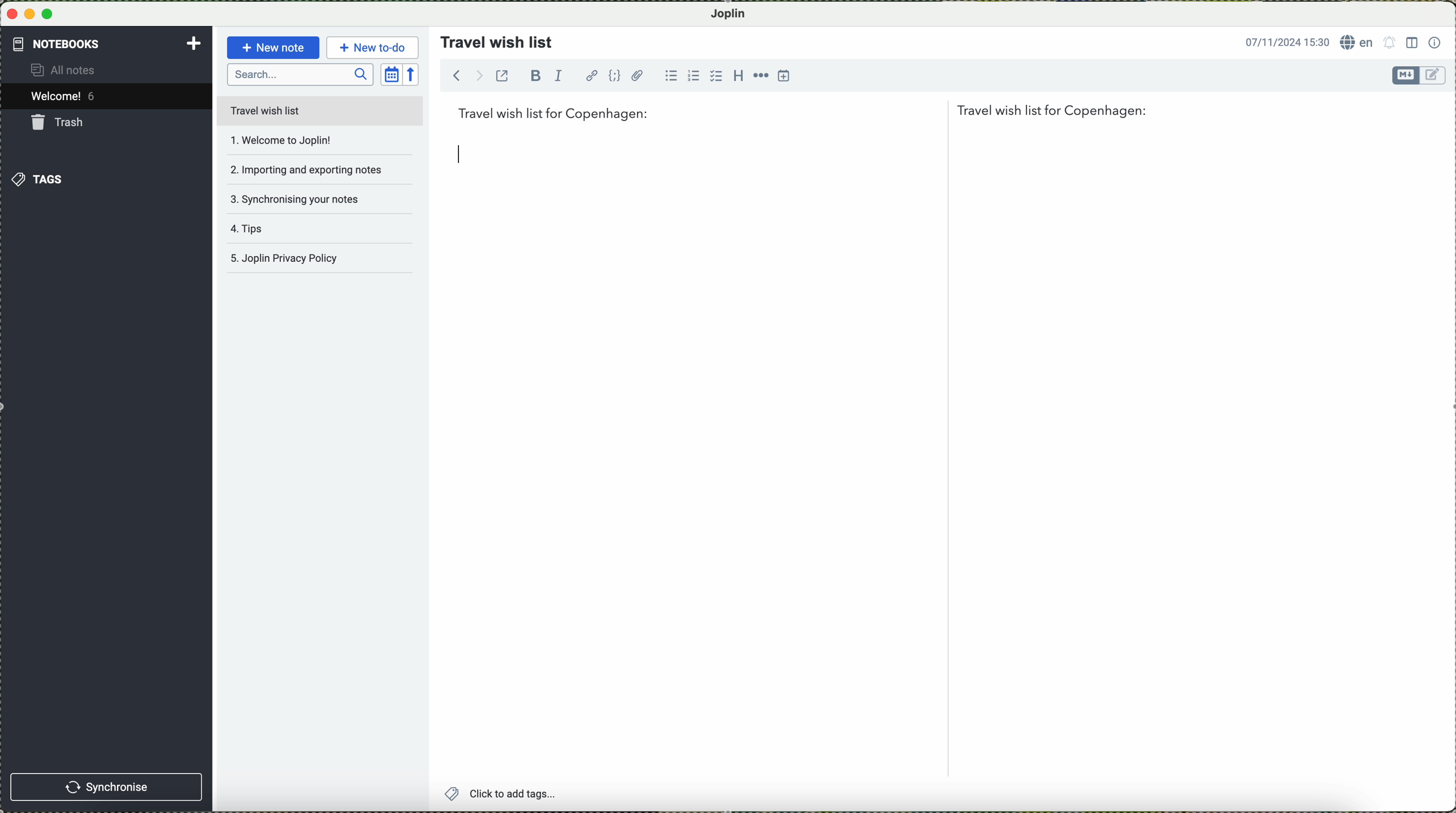  What do you see at coordinates (306, 168) in the screenshot?
I see `importing and exporting notes` at bounding box center [306, 168].